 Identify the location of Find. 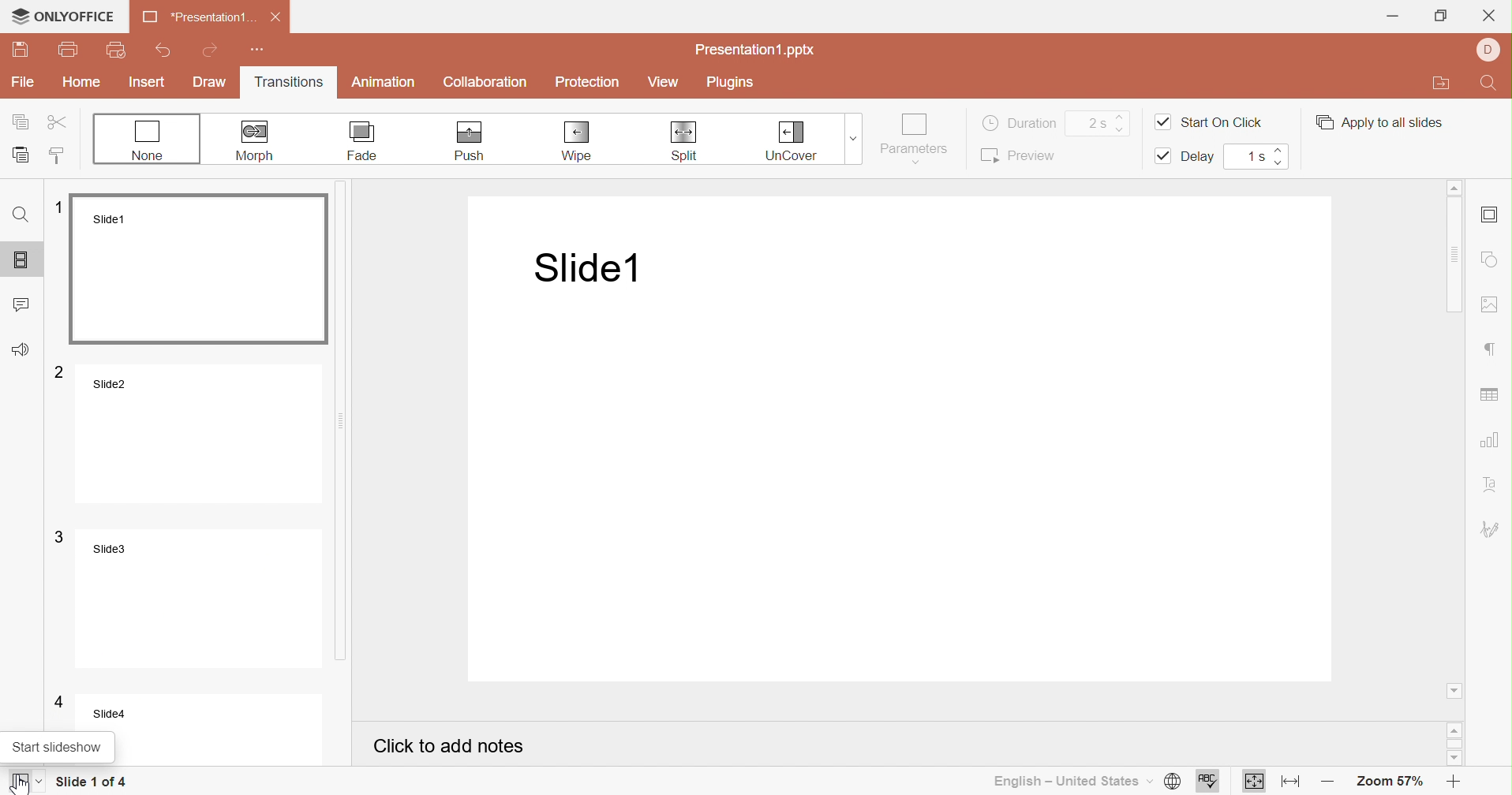
(23, 214).